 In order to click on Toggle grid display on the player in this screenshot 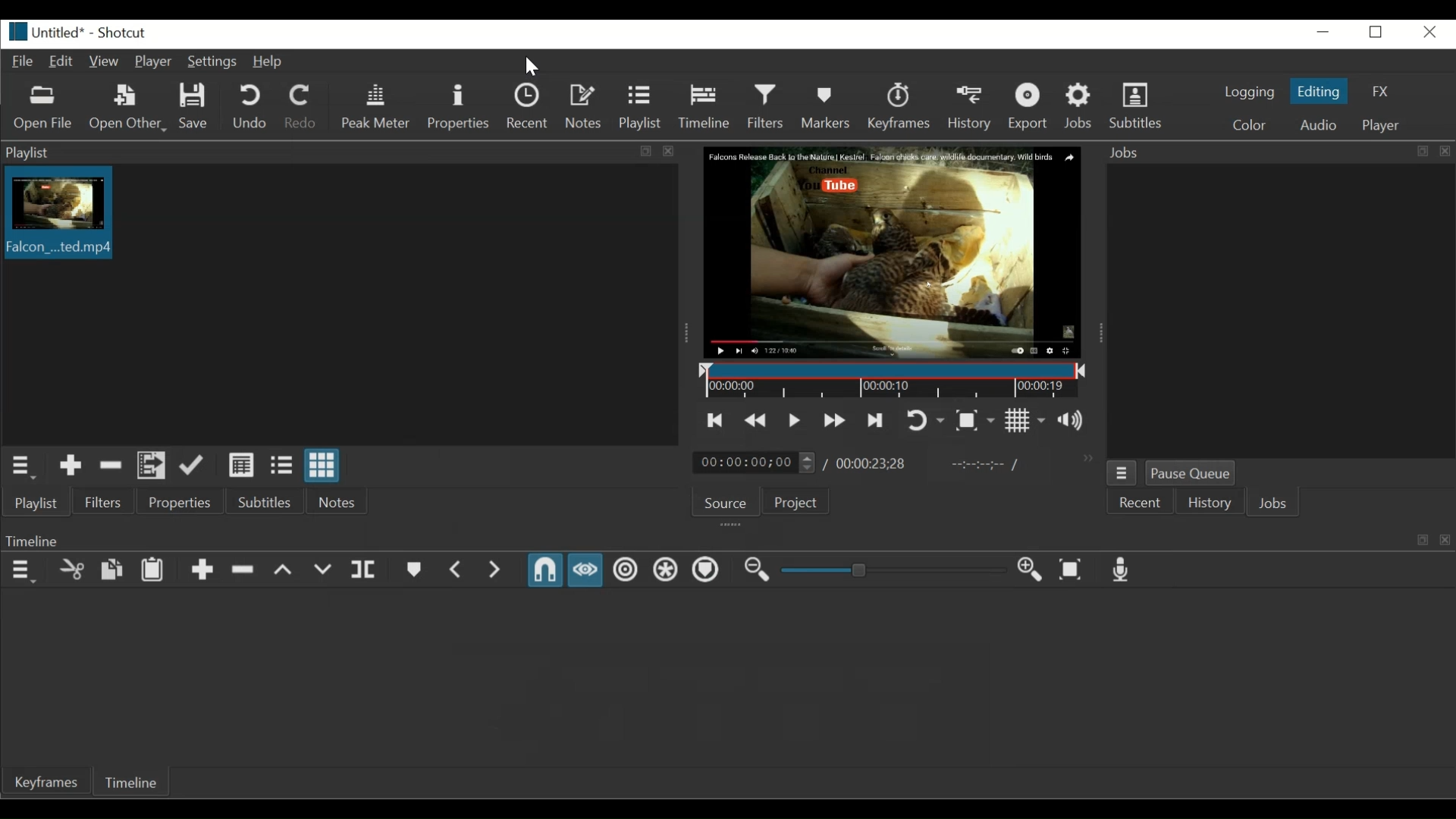, I will do `click(1027, 420)`.